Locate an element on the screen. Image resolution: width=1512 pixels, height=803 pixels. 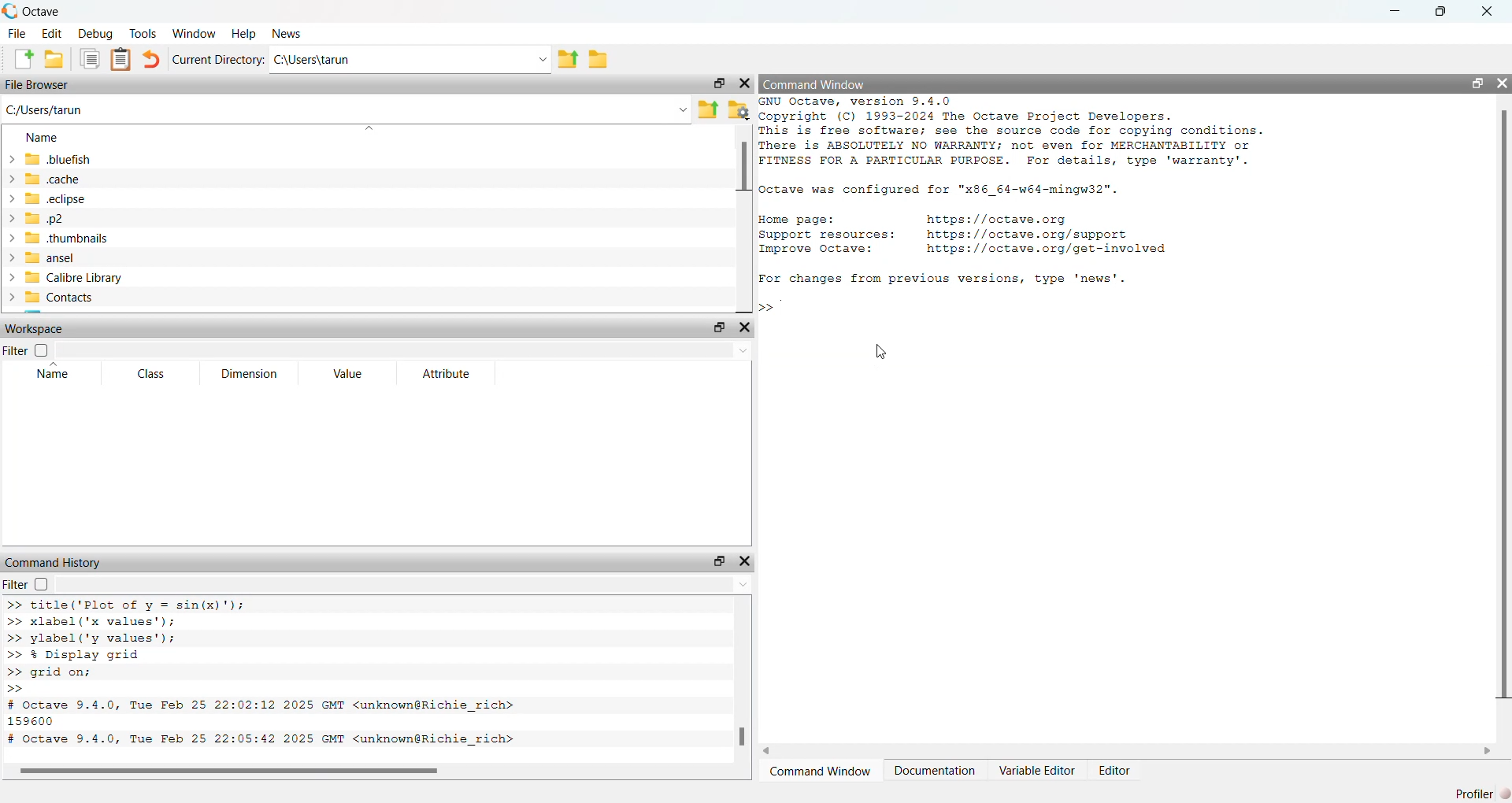
Value is located at coordinates (348, 374).